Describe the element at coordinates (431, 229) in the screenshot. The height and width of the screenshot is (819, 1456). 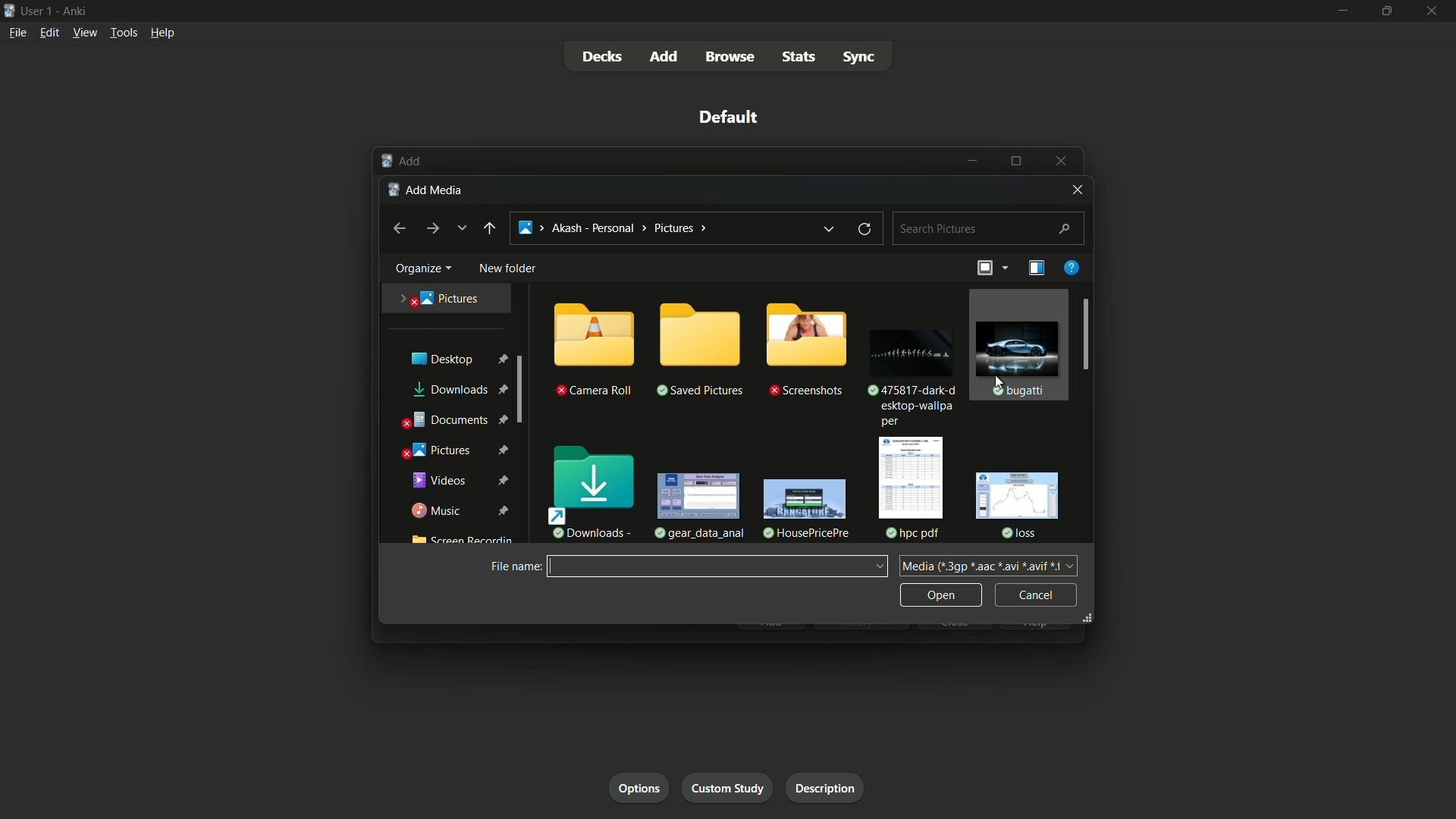
I see `forward` at that location.